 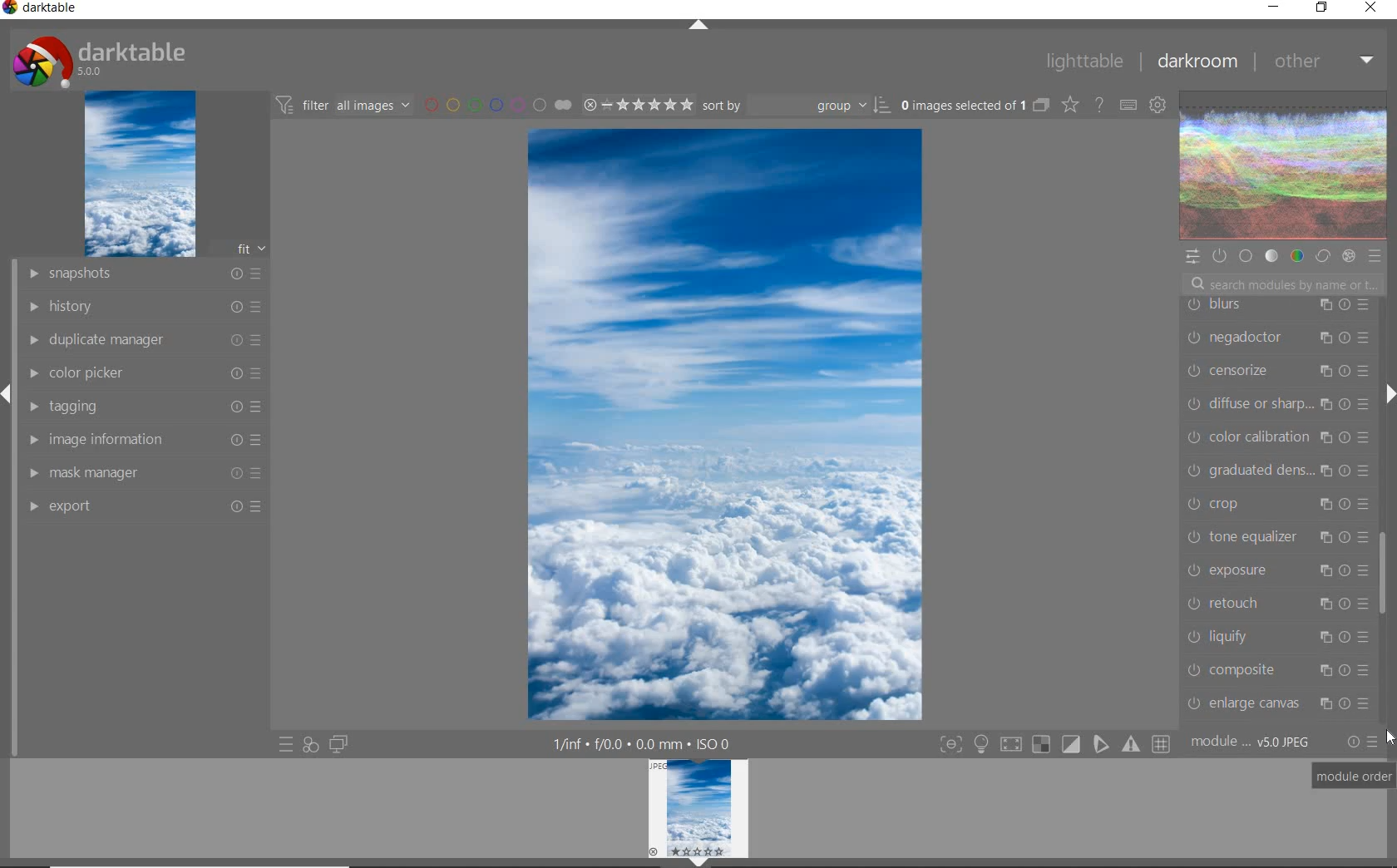 What do you see at coordinates (645, 742) in the screenshot?
I see `1/inf f/0.0 0.0 mm ISO 0` at bounding box center [645, 742].